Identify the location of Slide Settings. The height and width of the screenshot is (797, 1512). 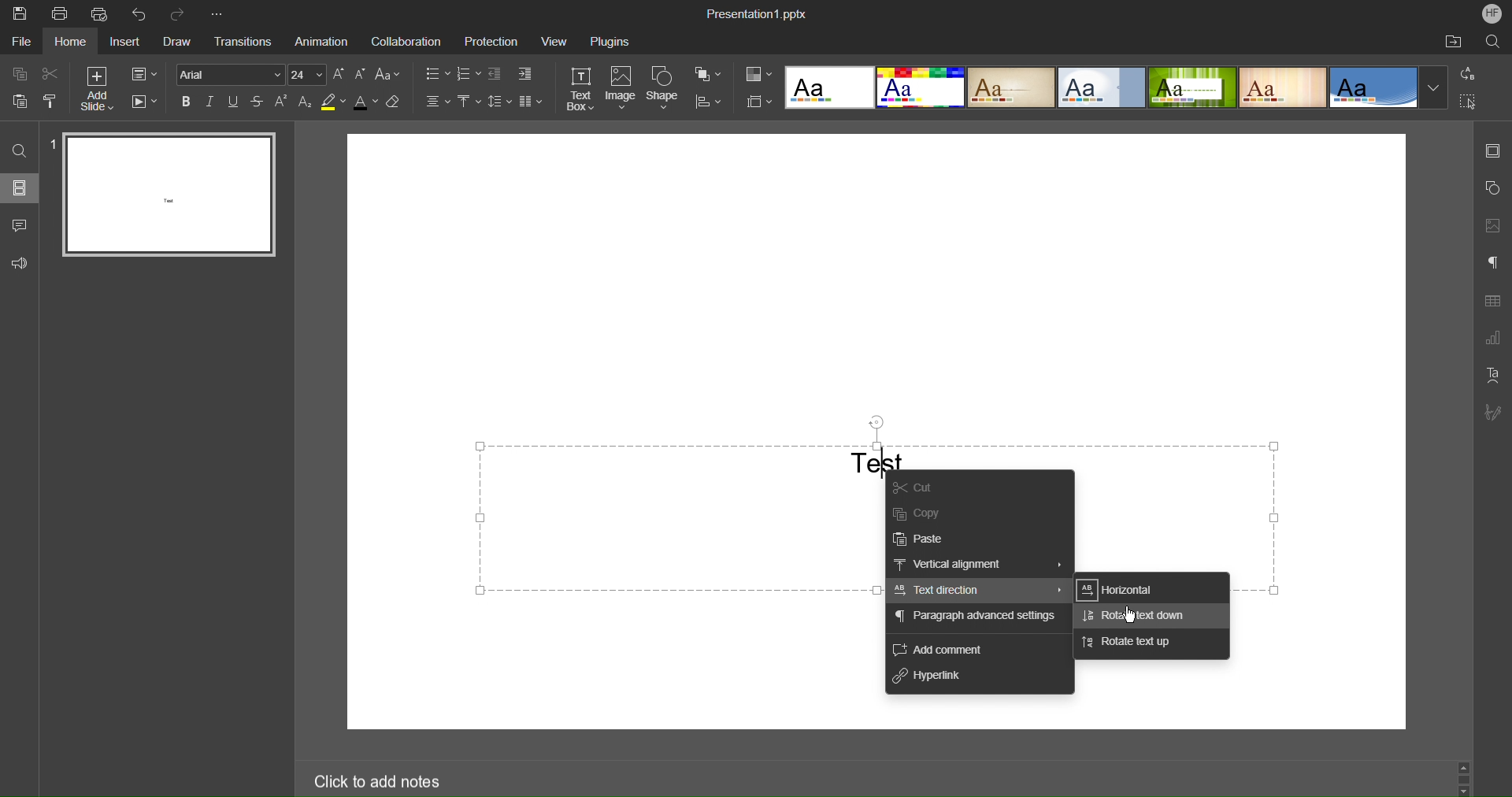
(144, 73).